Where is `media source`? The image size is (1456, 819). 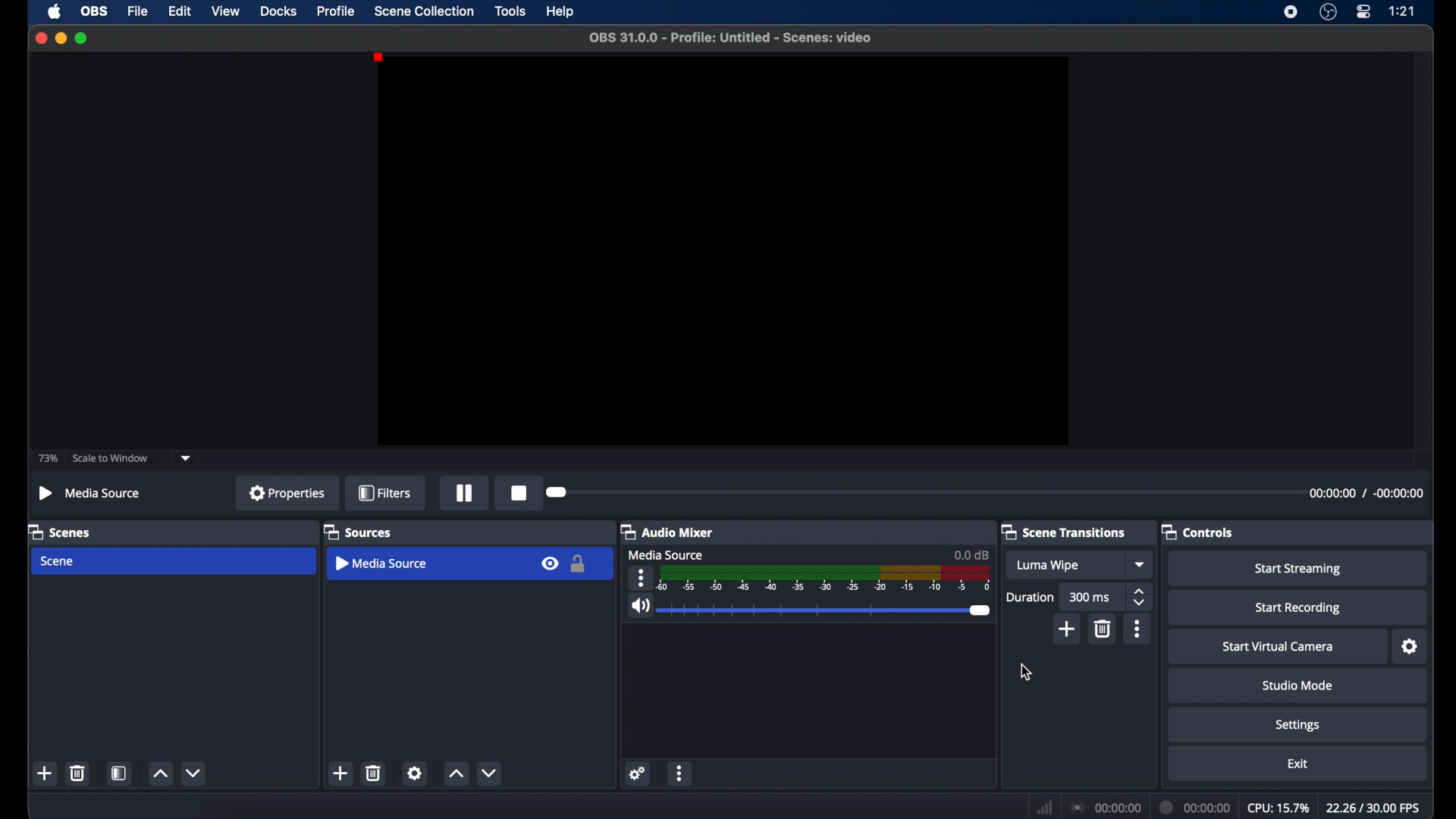
media source is located at coordinates (381, 563).